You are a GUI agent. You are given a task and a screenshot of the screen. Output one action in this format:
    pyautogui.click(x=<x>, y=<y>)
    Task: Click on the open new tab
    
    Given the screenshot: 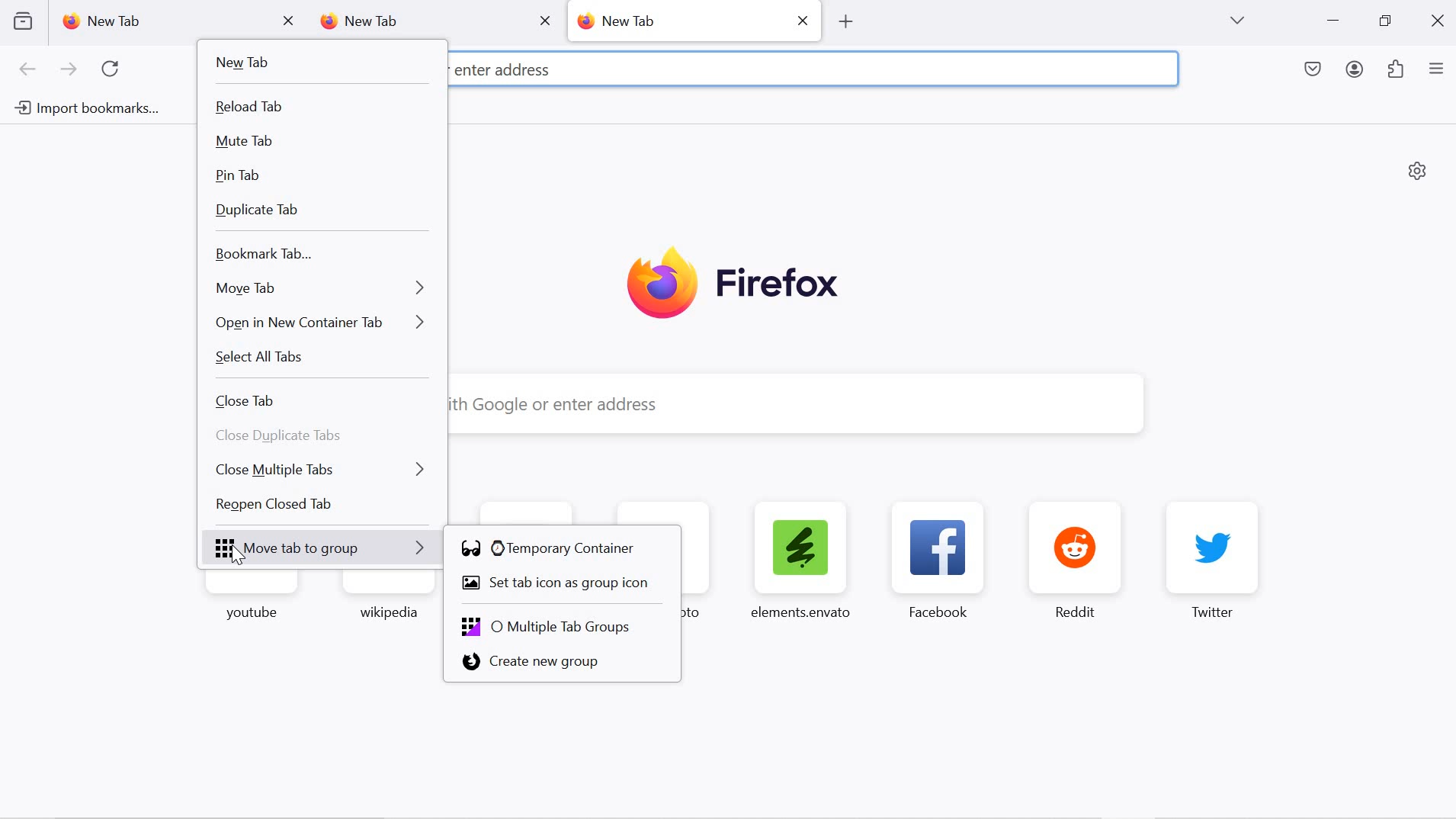 What is the action you would take?
    pyautogui.click(x=846, y=20)
    